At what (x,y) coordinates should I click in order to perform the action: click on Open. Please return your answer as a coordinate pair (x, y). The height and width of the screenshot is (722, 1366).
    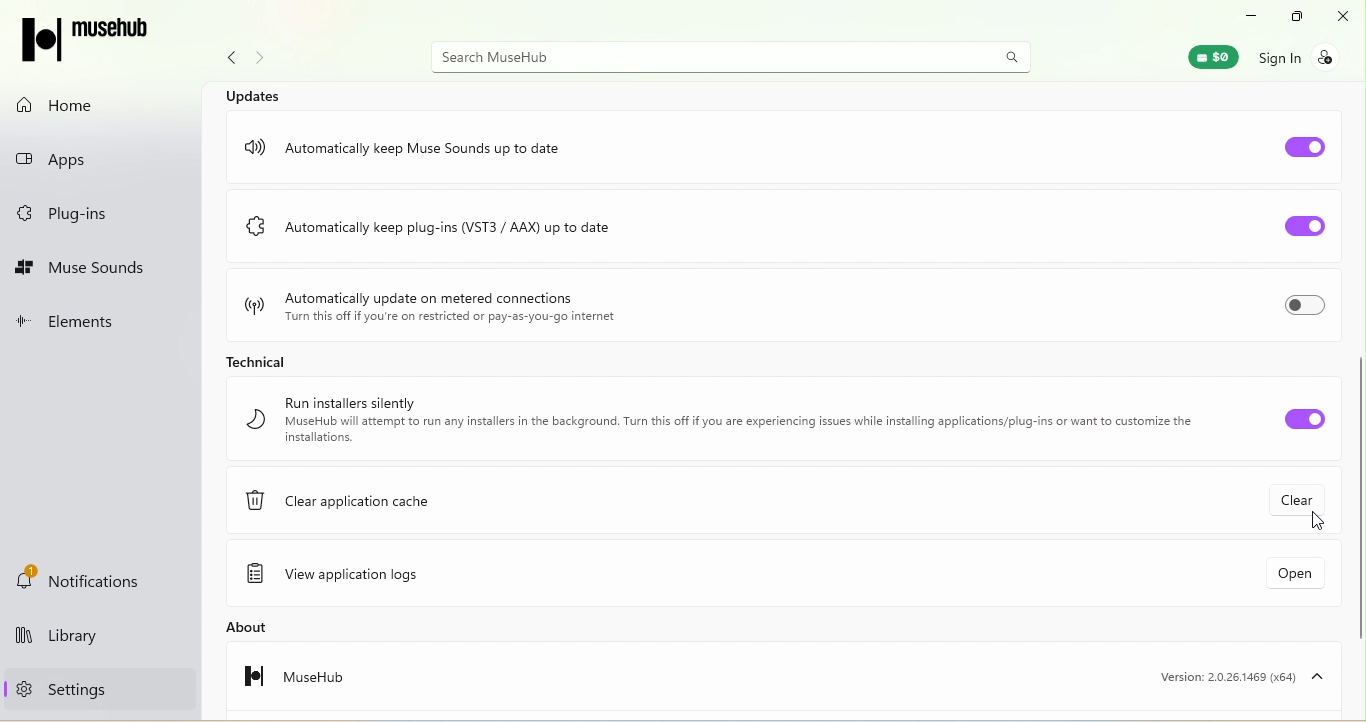
    Looking at the image, I should click on (1276, 578).